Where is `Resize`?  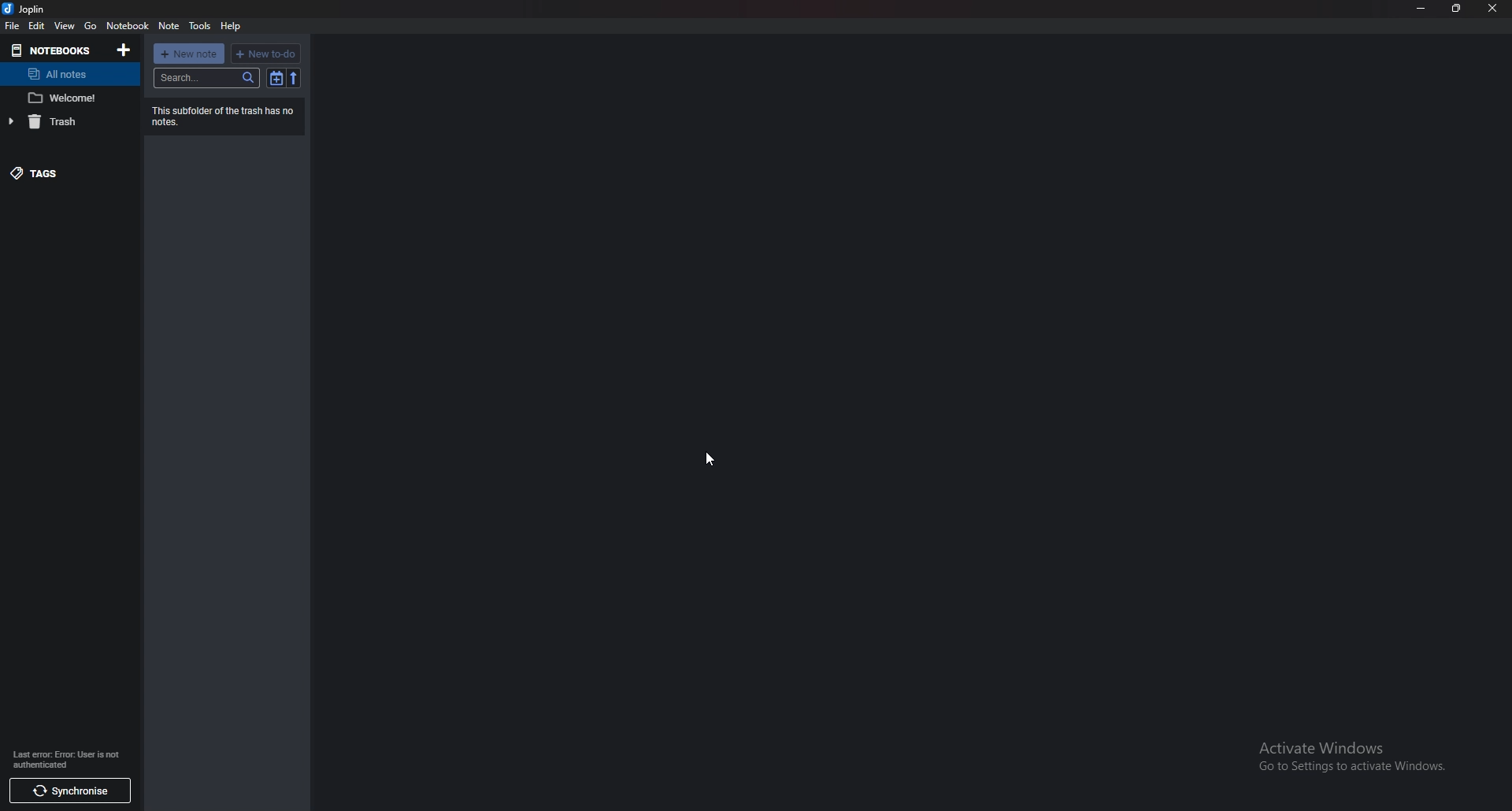
Resize is located at coordinates (1457, 8).